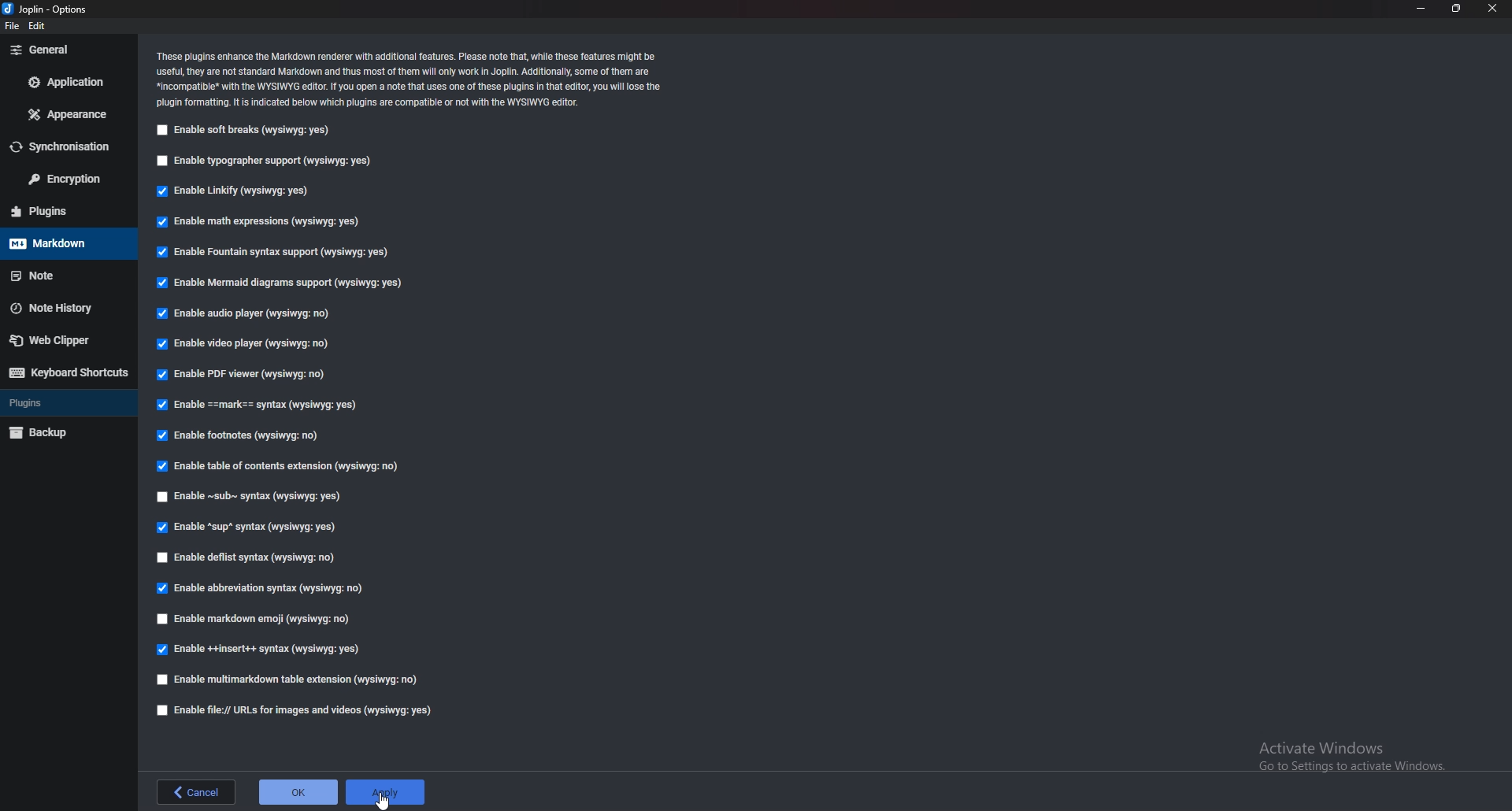 This screenshot has width=1512, height=811. I want to click on back, so click(194, 793).